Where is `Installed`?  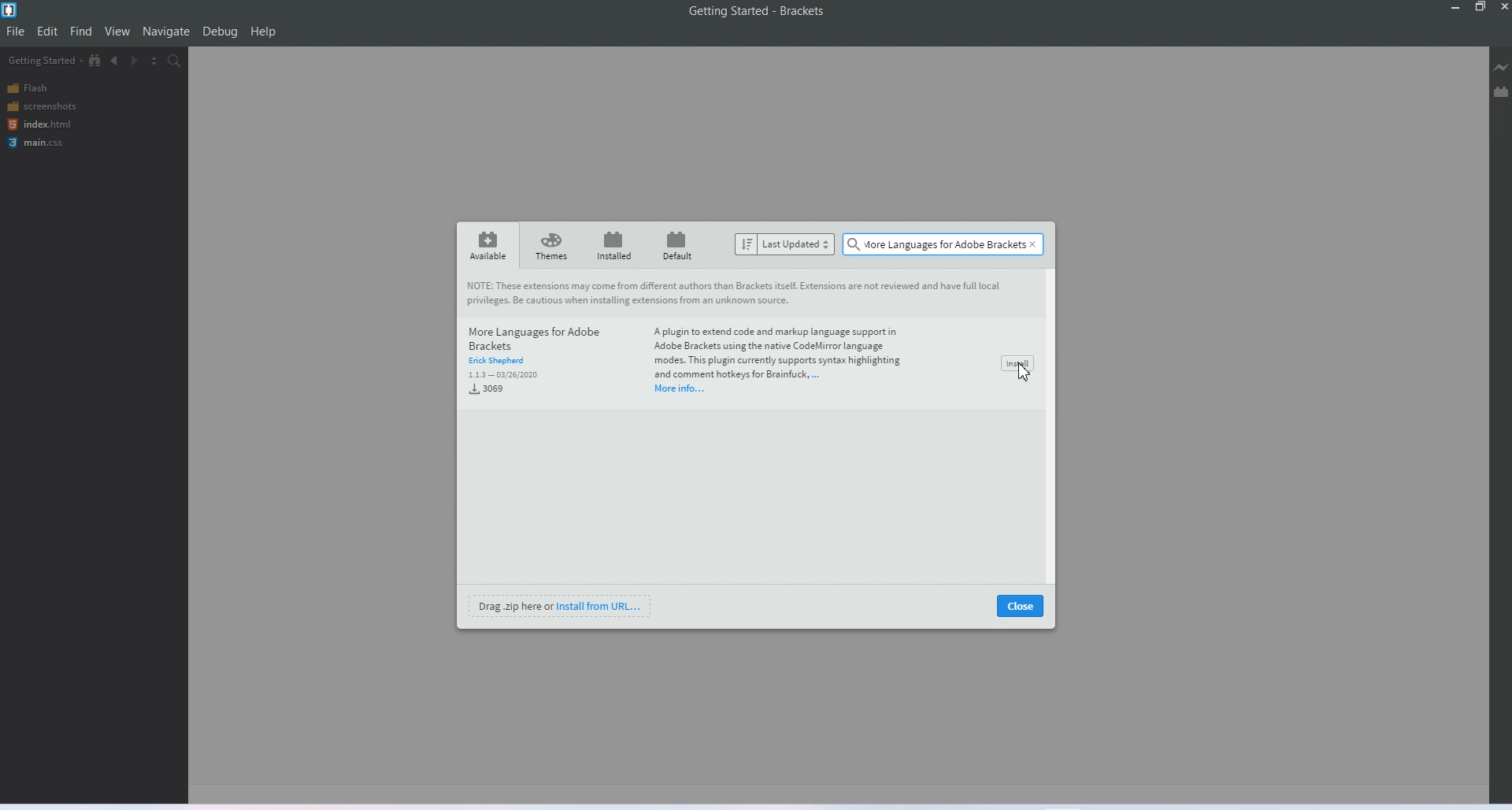
Installed is located at coordinates (612, 245).